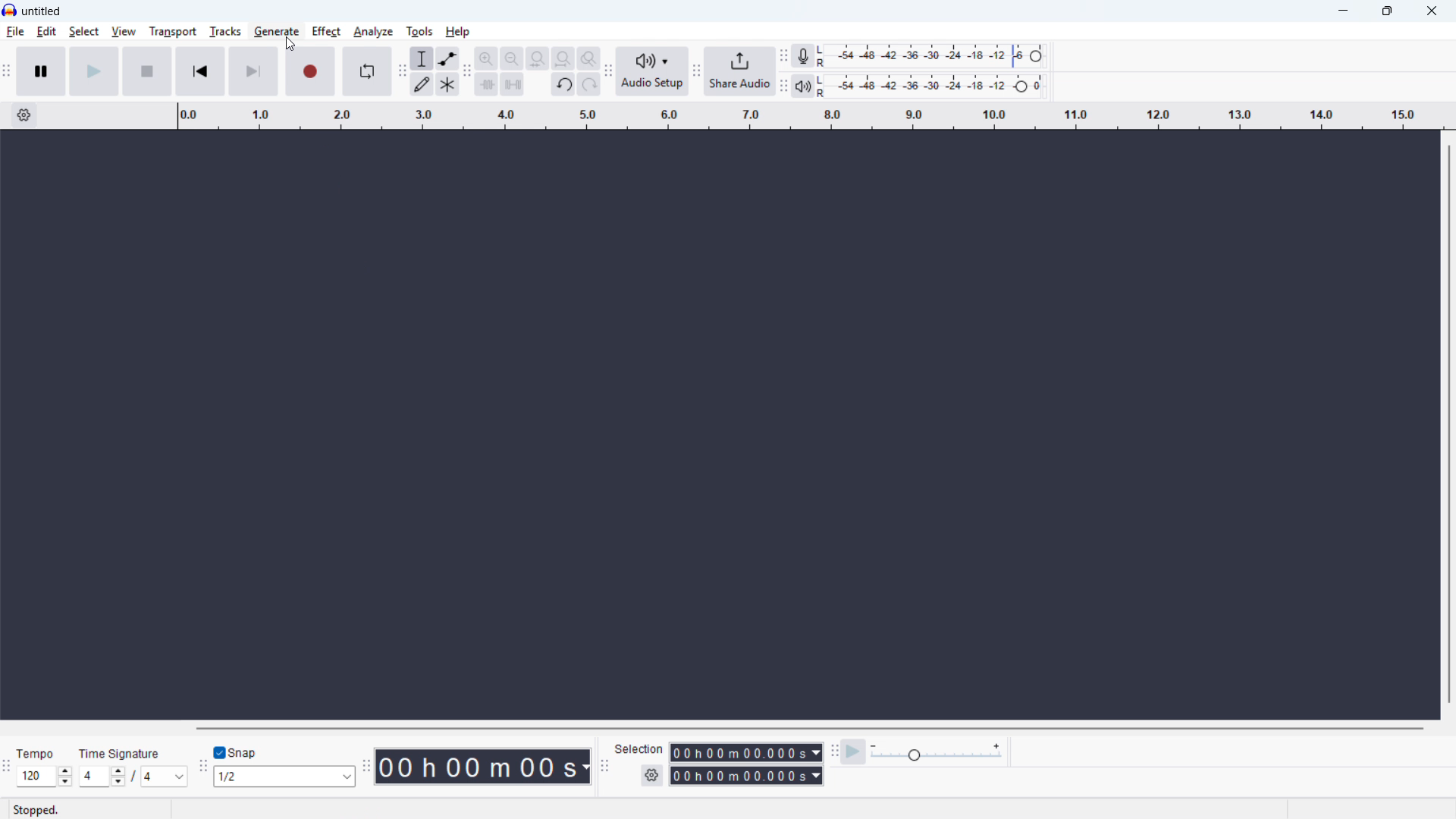  I want to click on Draw tool , so click(423, 85).